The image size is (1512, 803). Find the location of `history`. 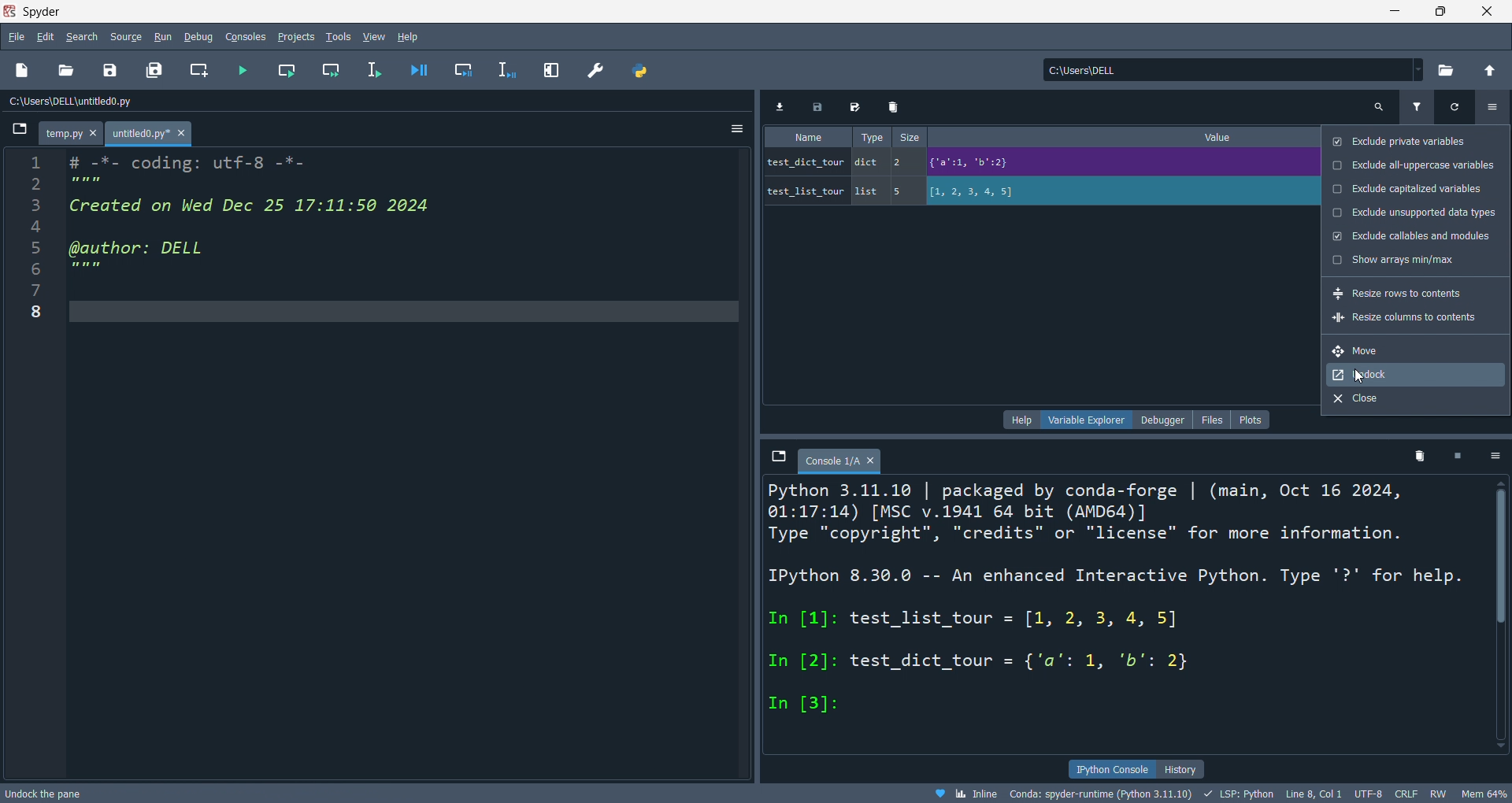

history is located at coordinates (1183, 768).